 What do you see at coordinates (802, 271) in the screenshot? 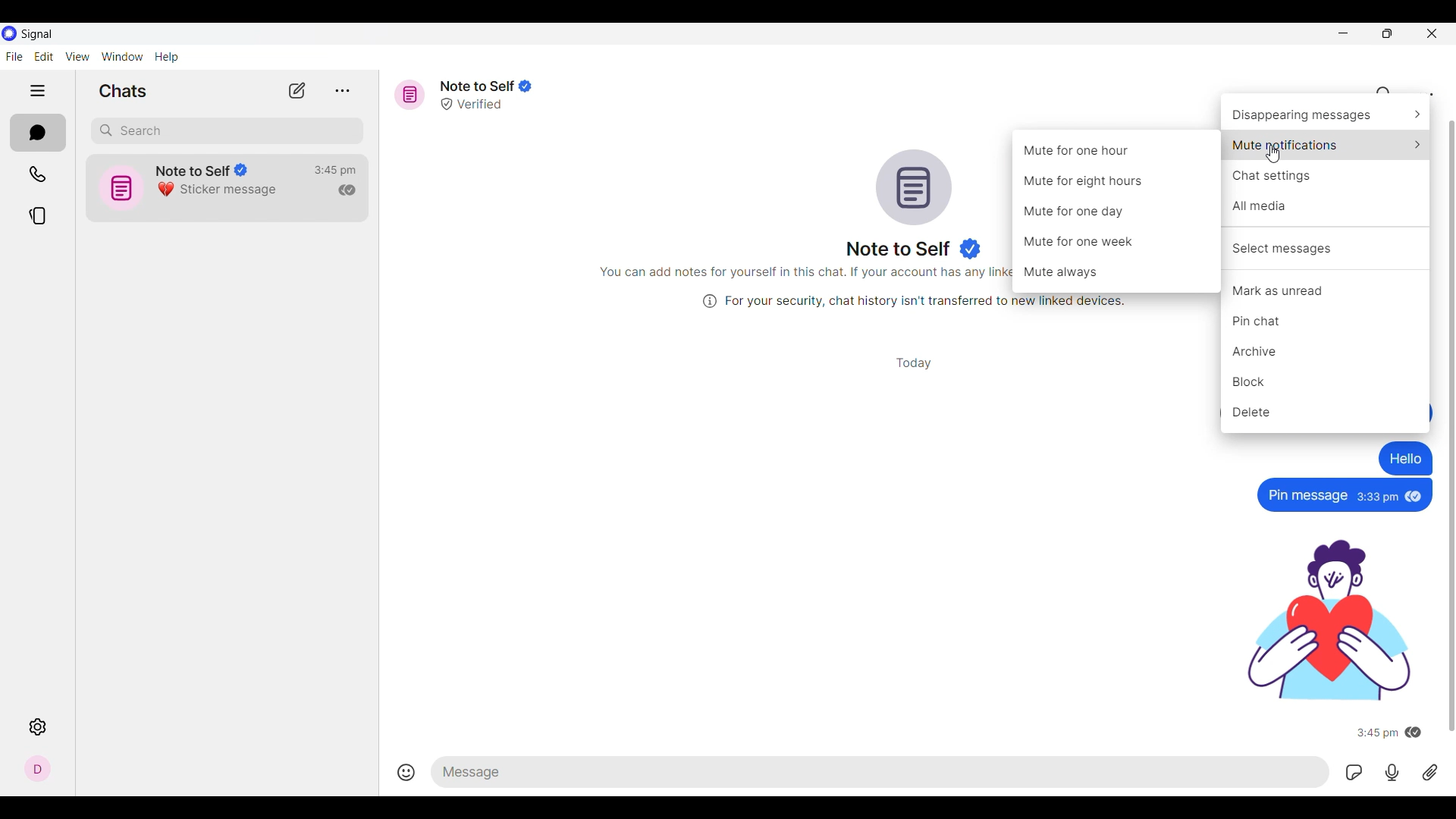
I see `You can add notes for yourself in this chat. If your account has any link` at bounding box center [802, 271].